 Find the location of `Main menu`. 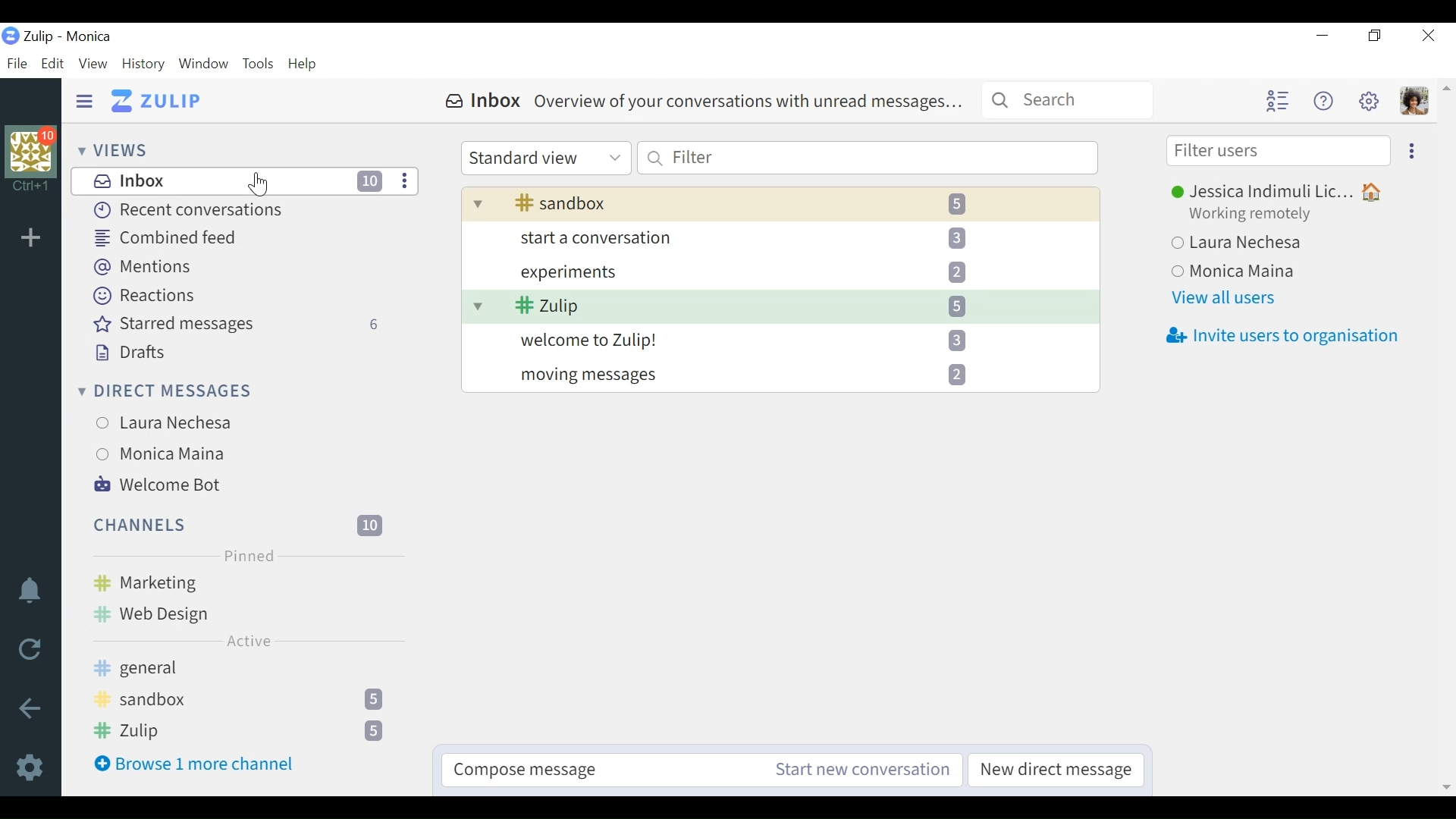

Main menu is located at coordinates (1369, 102).